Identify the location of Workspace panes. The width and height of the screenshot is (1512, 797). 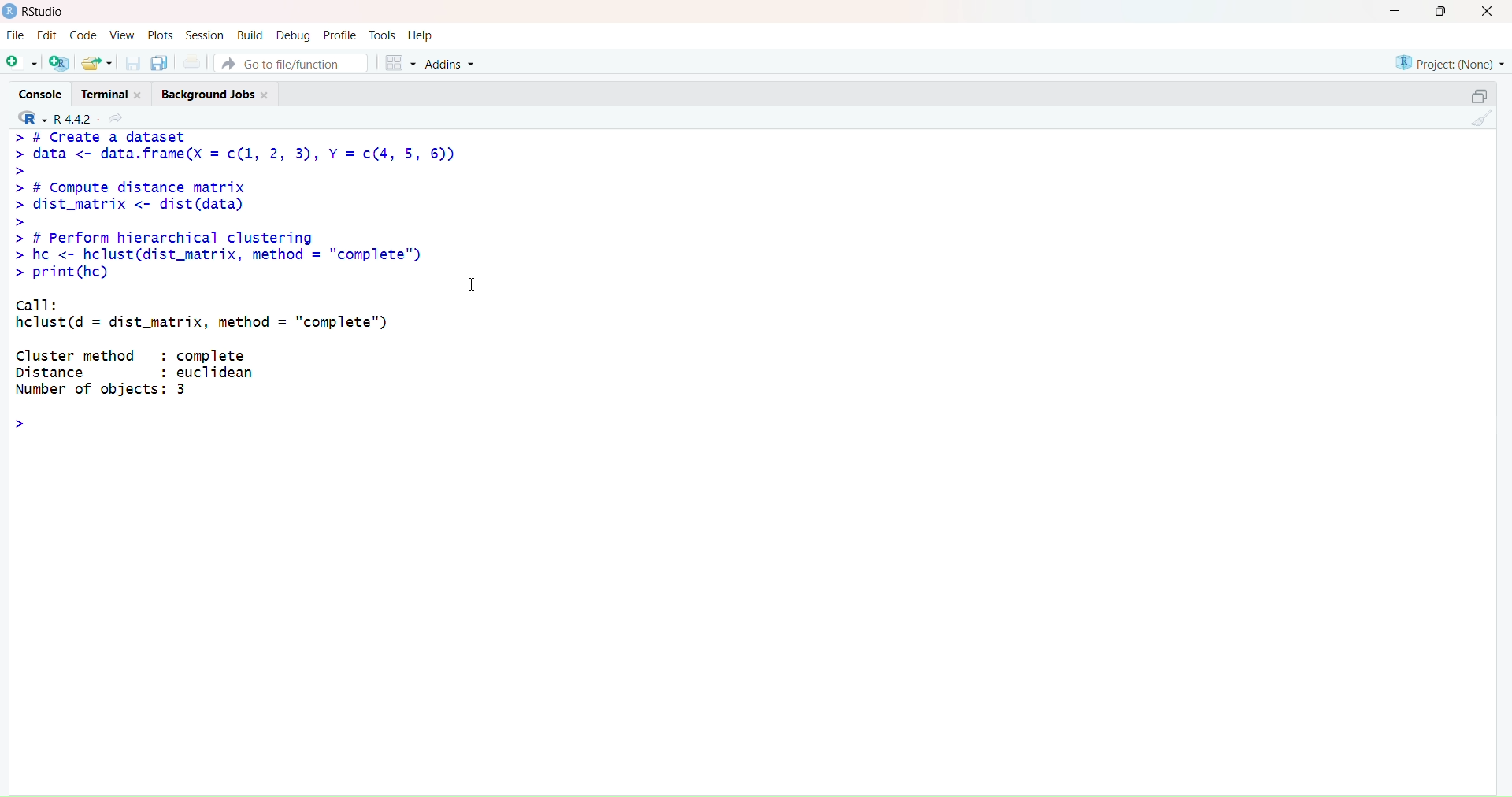
(401, 61).